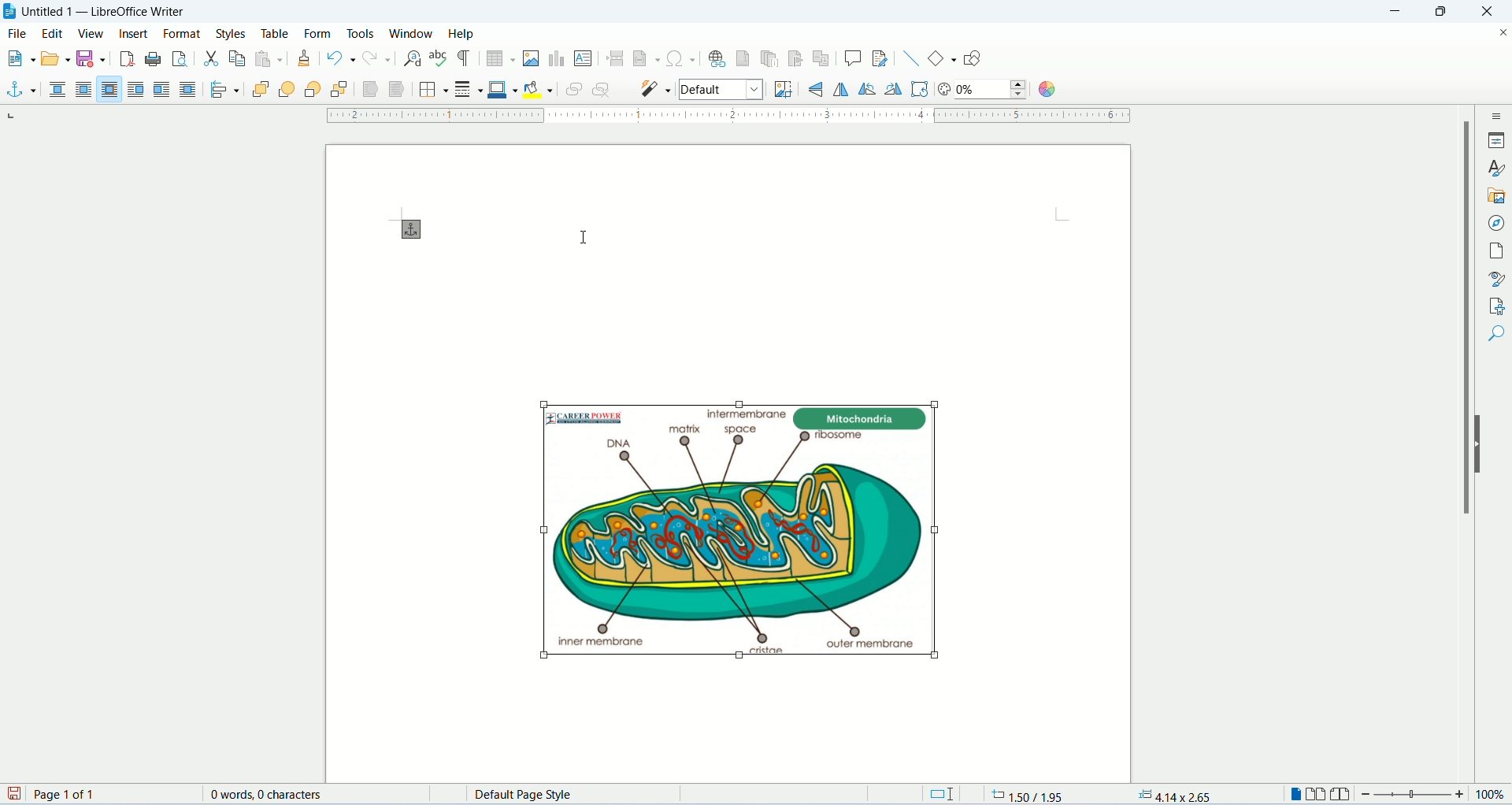 The width and height of the screenshot is (1512, 805). I want to click on print preview, so click(180, 59).